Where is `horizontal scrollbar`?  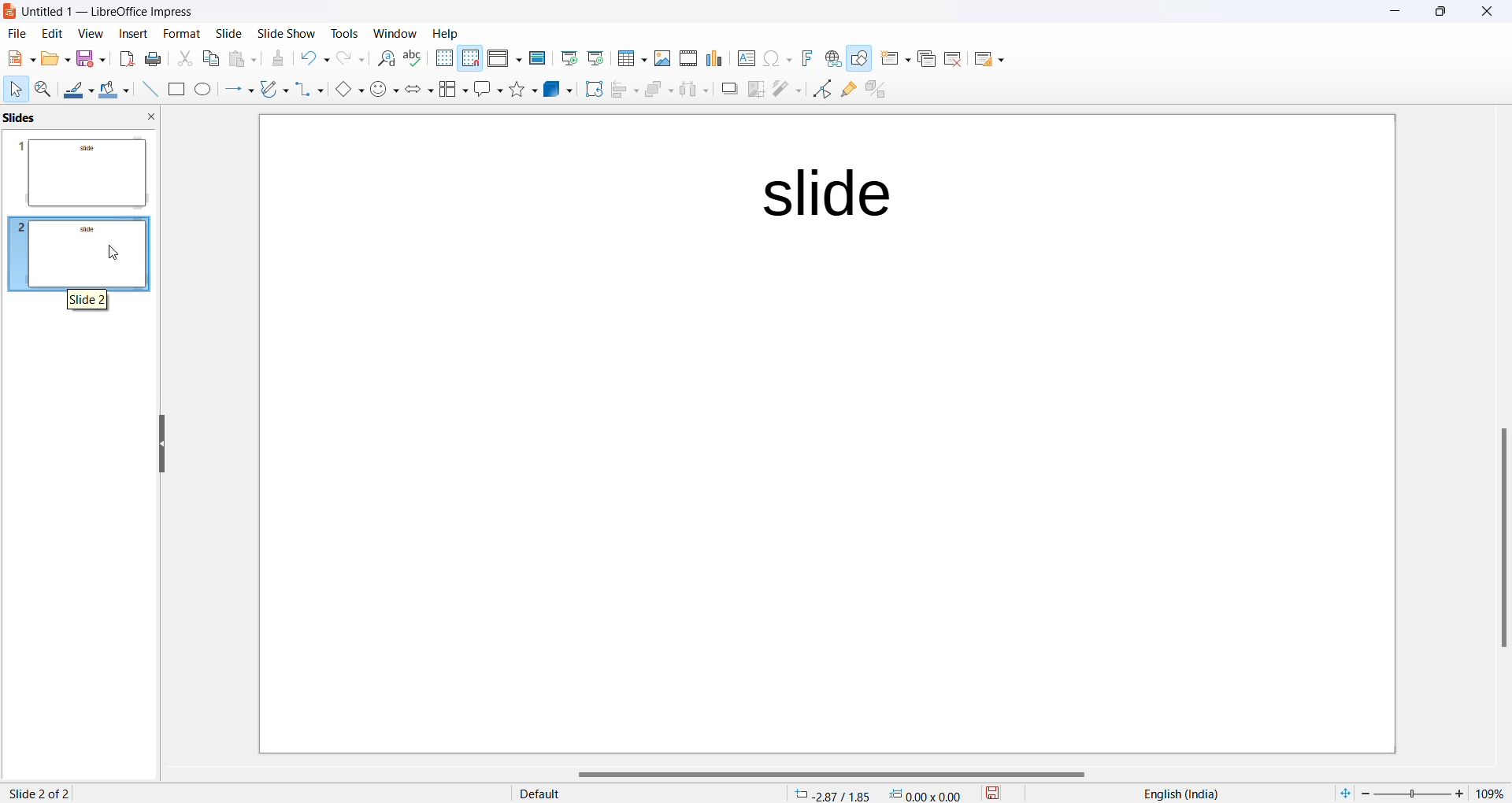
horizontal scrollbar is located at coordinates (828, 774).